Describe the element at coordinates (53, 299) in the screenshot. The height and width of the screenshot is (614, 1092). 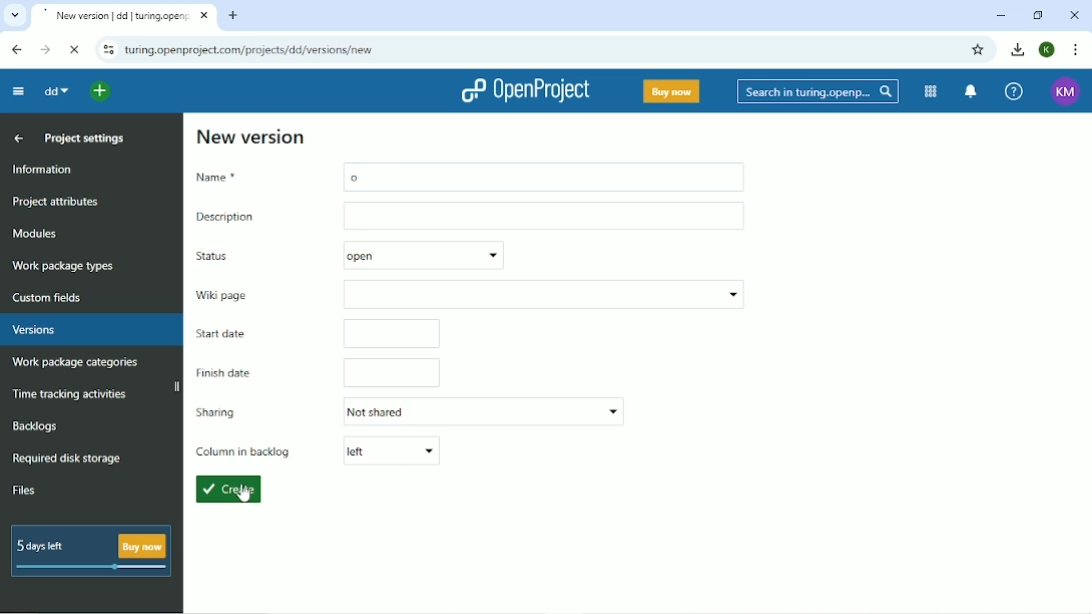
I see `Custom fields` at that location.